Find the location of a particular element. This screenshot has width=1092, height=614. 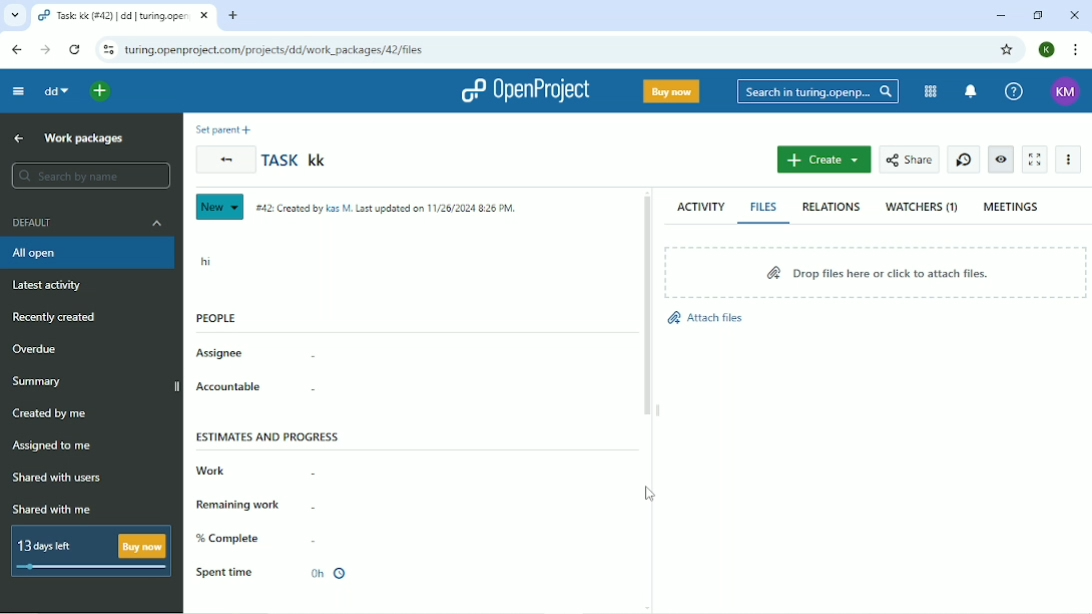

New is located at coordinates (218, 207).